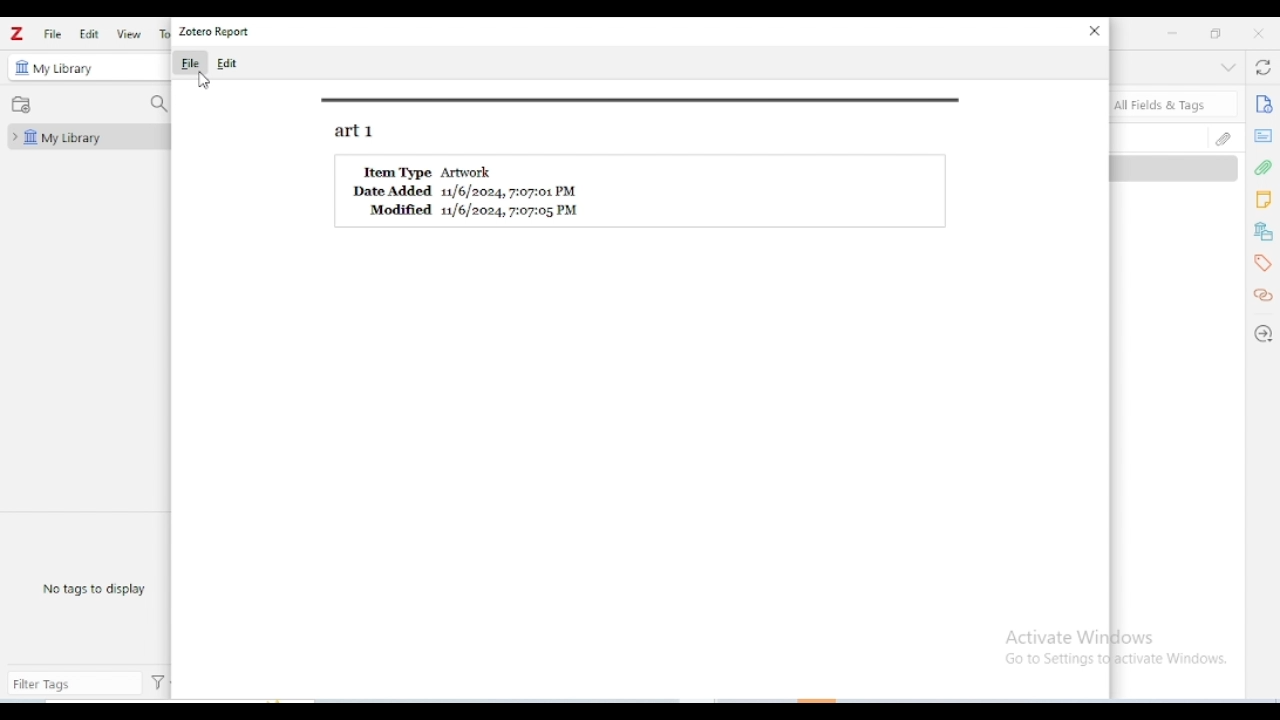 The image size is (1280, 720). What do you see at coordinates (1258, 33) in the screenshot?
I see `close` at bounding box center [1258, 33].